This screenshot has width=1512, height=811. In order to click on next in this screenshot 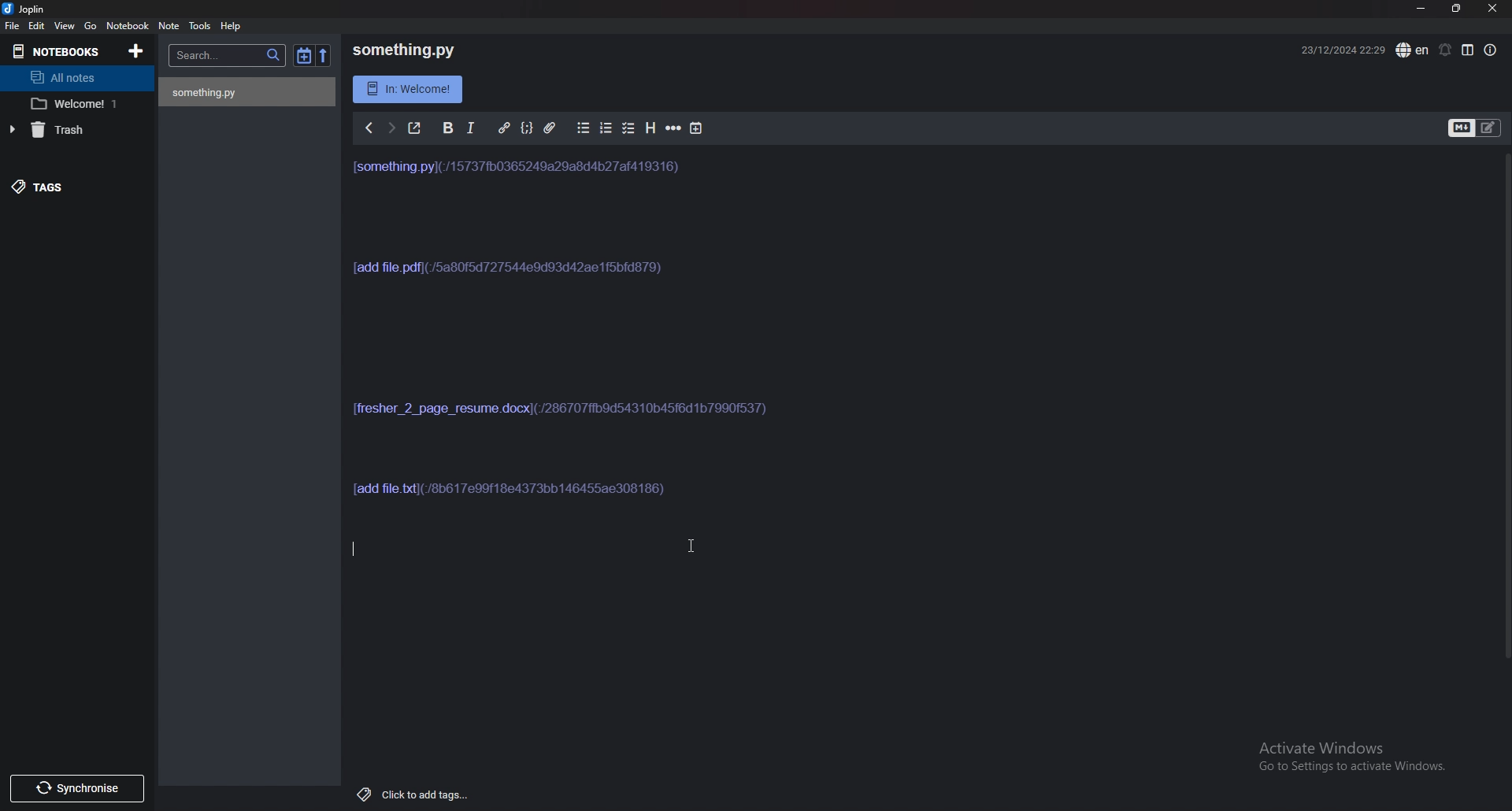, I will do `click(391, 128)`.